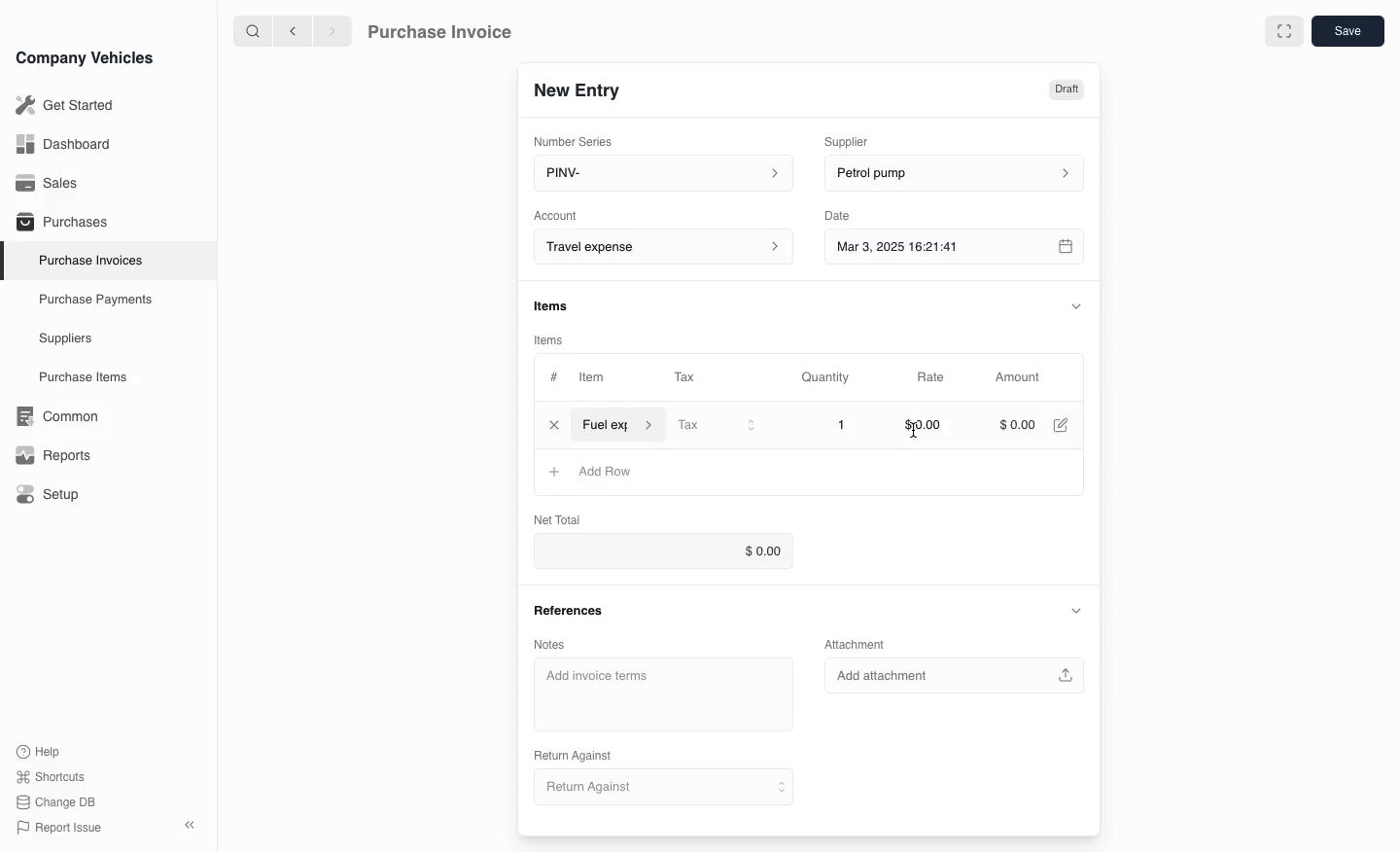 The width and height of the screenshot is (1400, 852). I want to click on item  , so click(617, 428).